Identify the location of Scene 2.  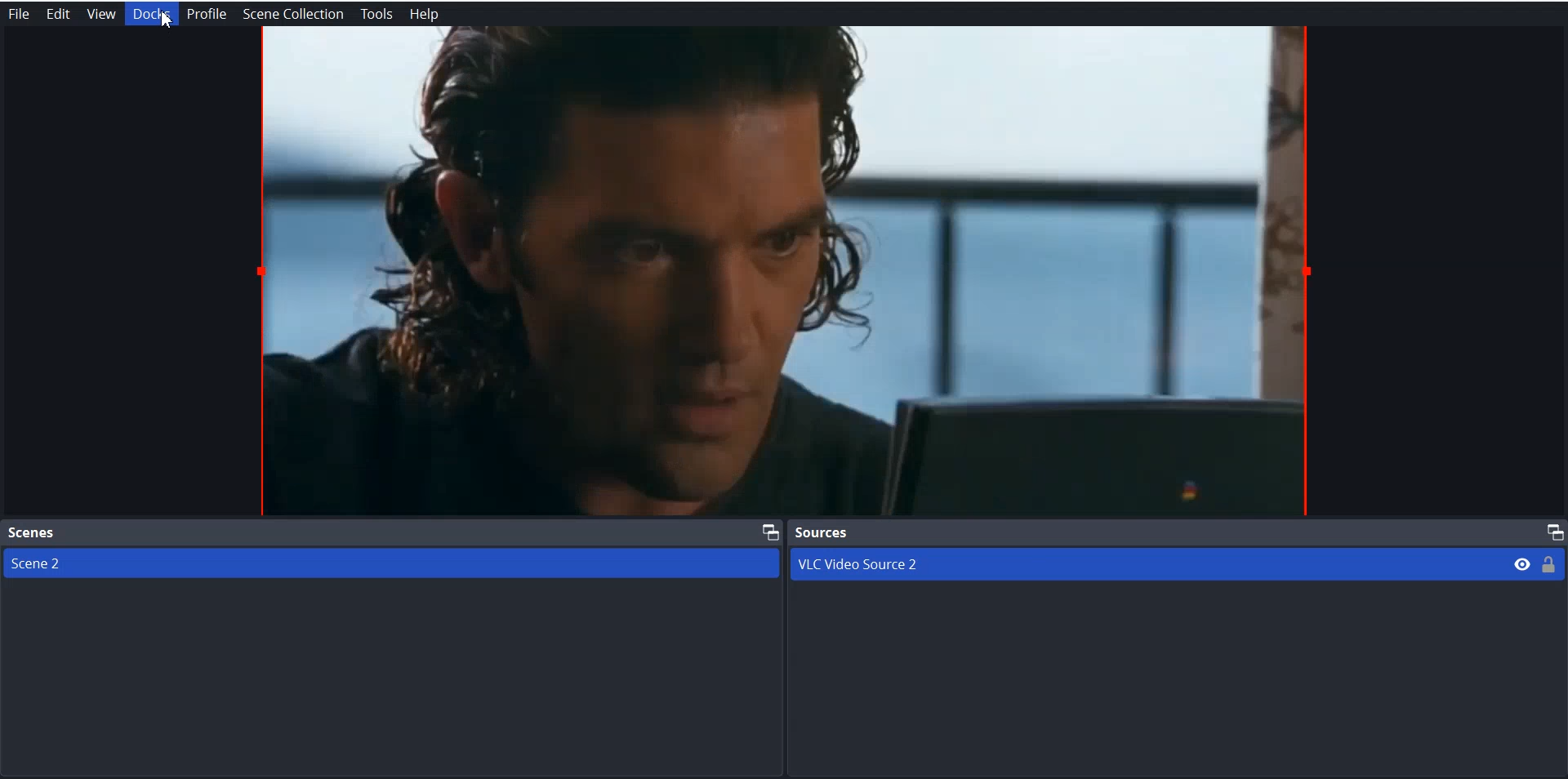
(392, 563).